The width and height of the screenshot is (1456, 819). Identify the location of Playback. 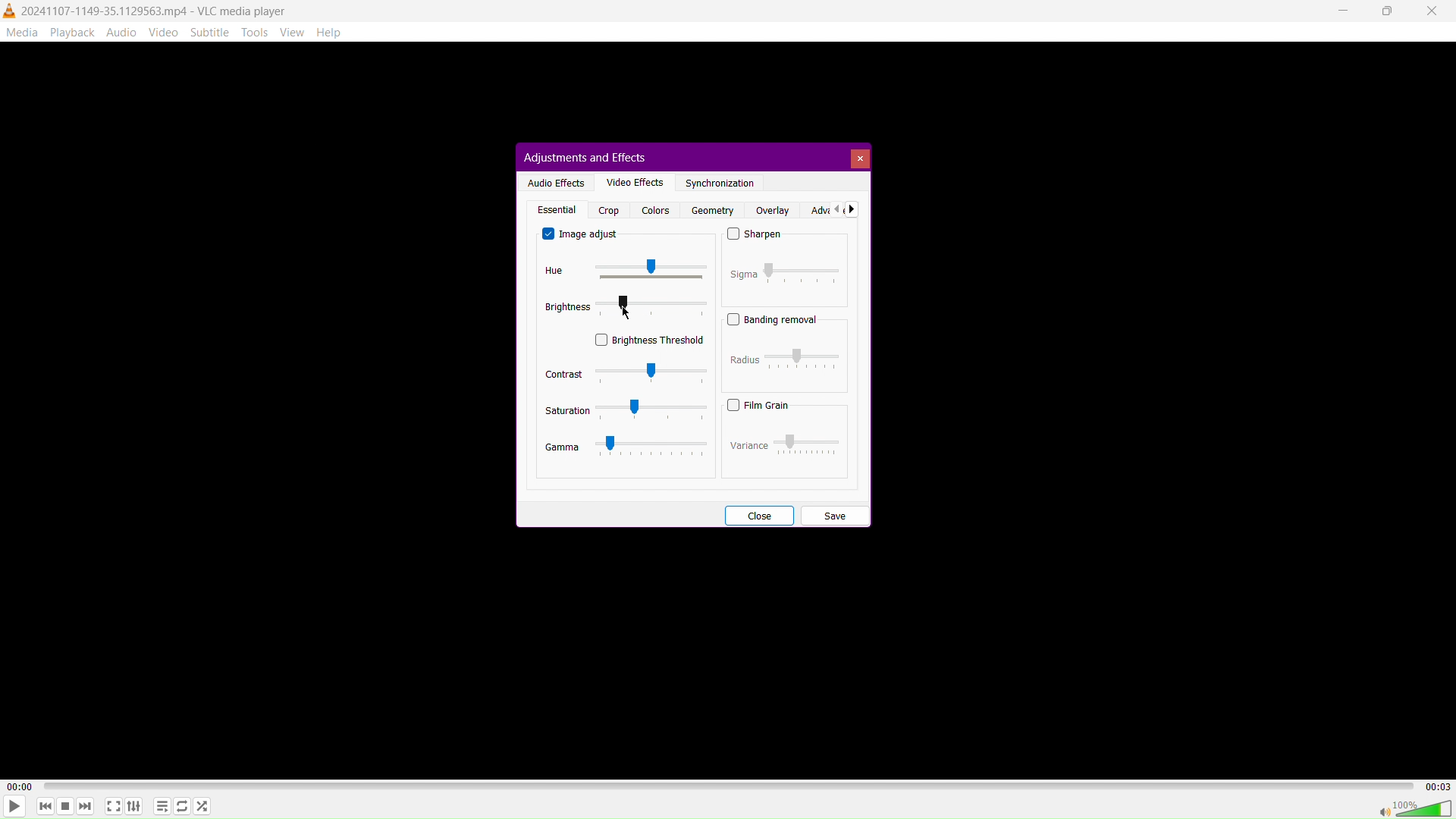
(71, 32).